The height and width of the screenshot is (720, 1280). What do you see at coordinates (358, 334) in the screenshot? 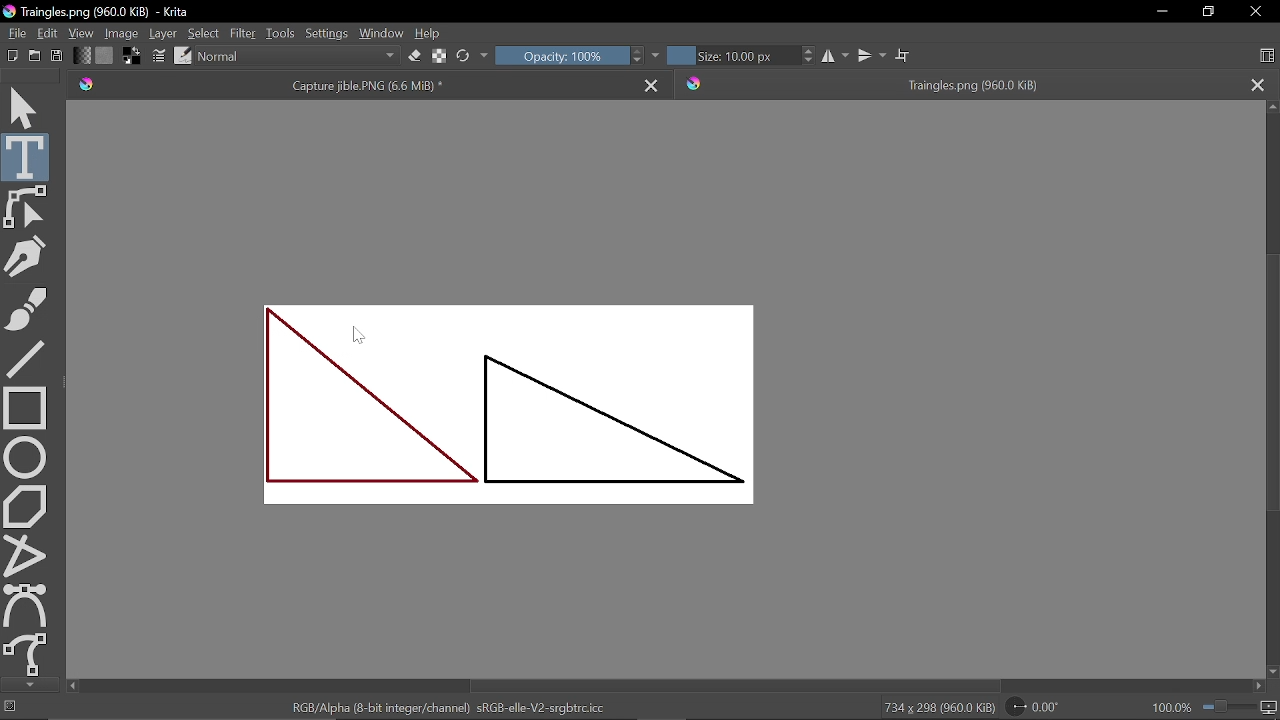
I see `Cursor` at bounding box center [358, 334].